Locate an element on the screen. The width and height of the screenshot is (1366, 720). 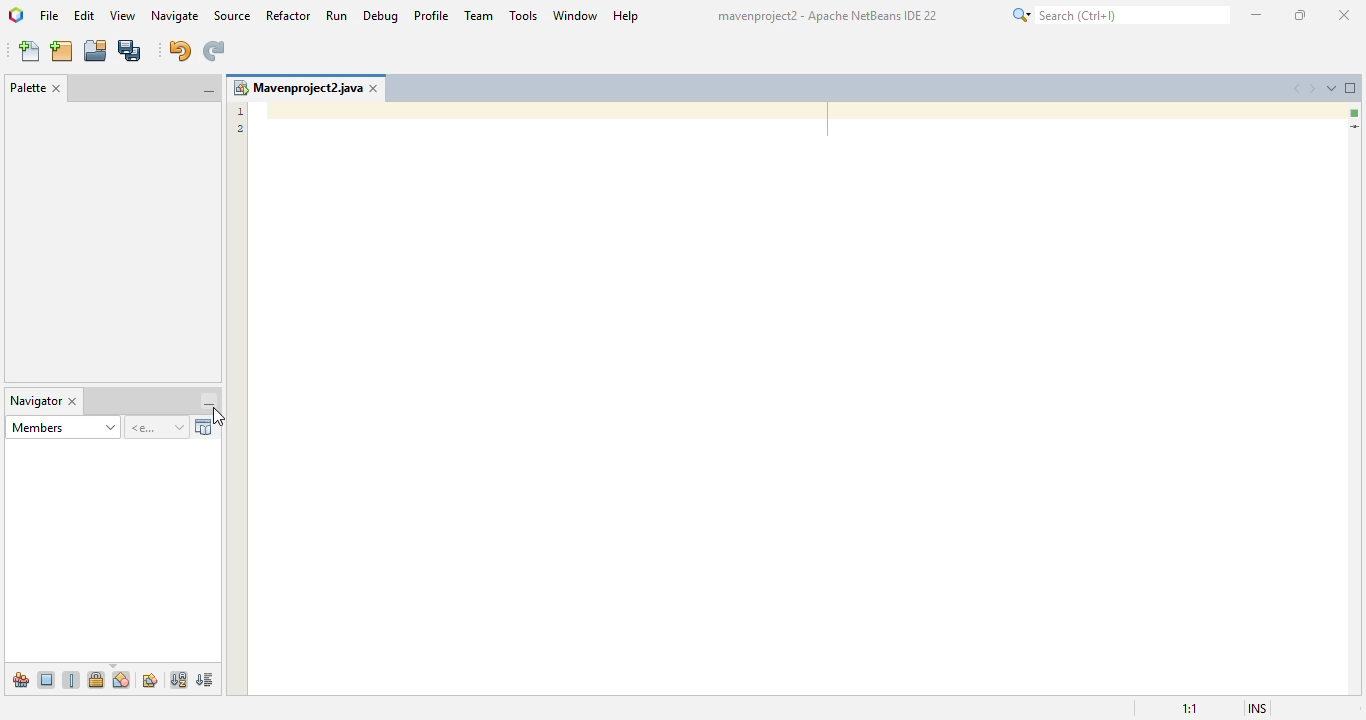
show non-public members is located at coordinates (96, 679).